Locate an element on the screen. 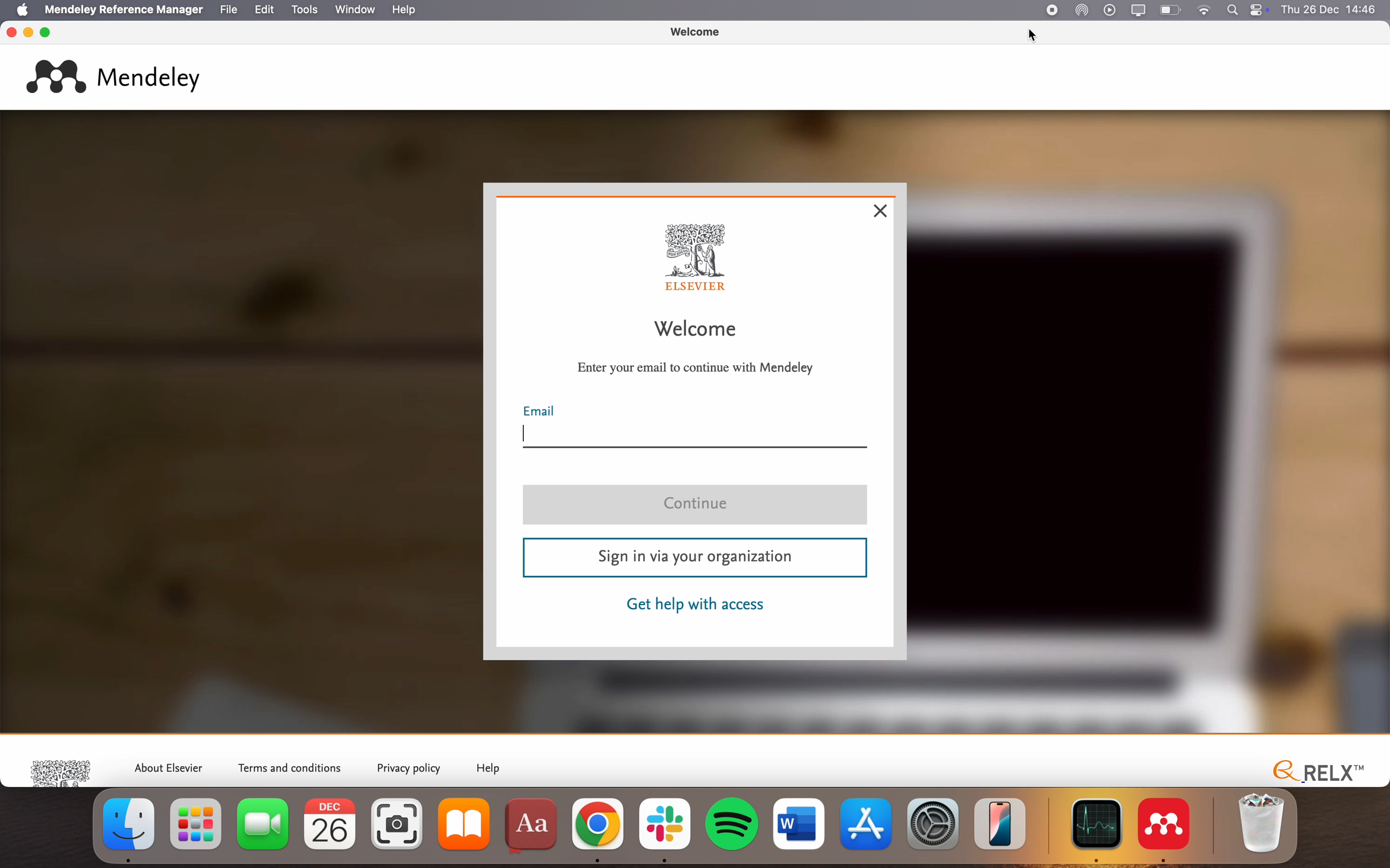  get help with access is located at coordinates (696, 606).